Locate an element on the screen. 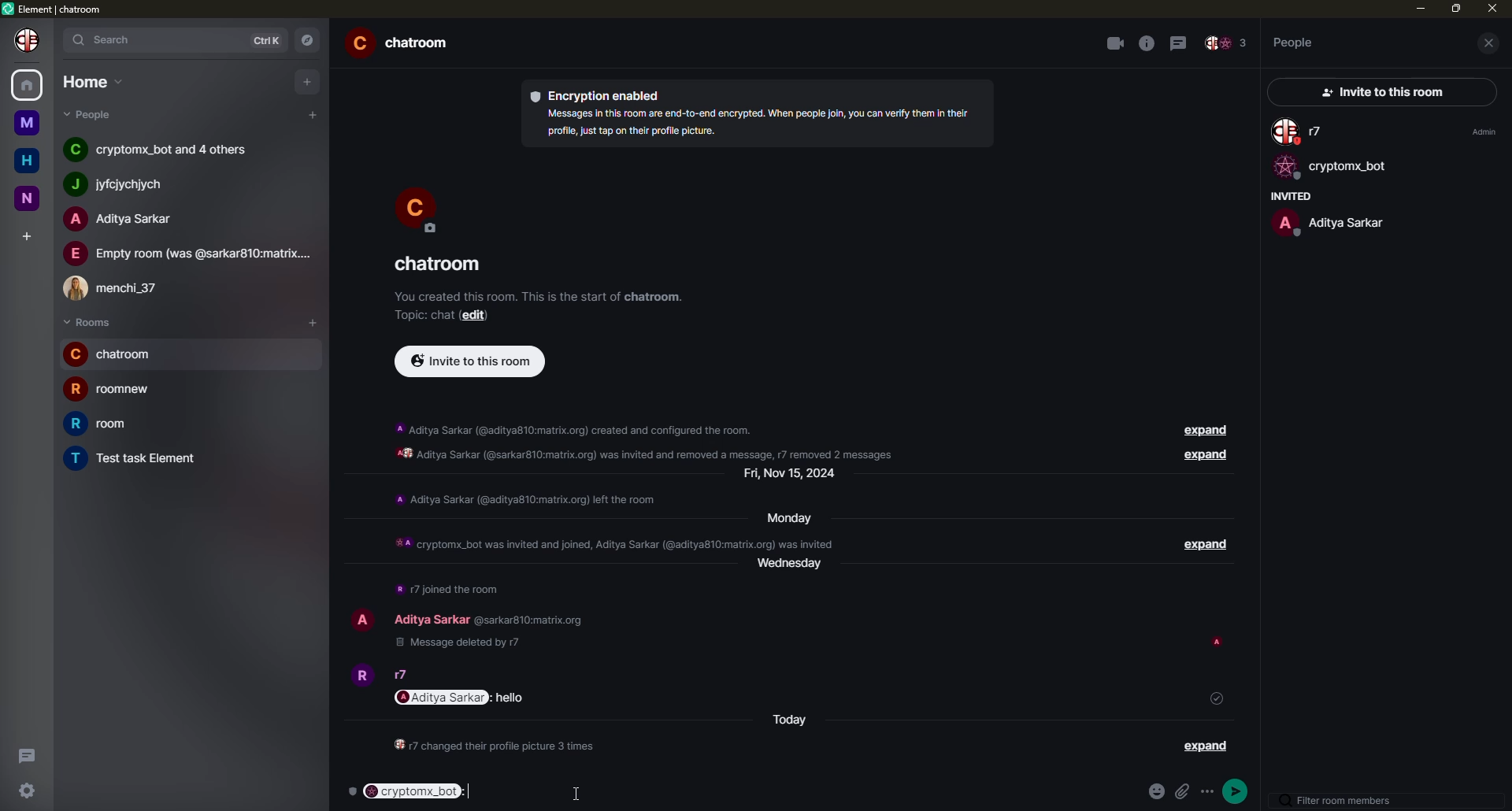  m is located at coordinates (26, 123).